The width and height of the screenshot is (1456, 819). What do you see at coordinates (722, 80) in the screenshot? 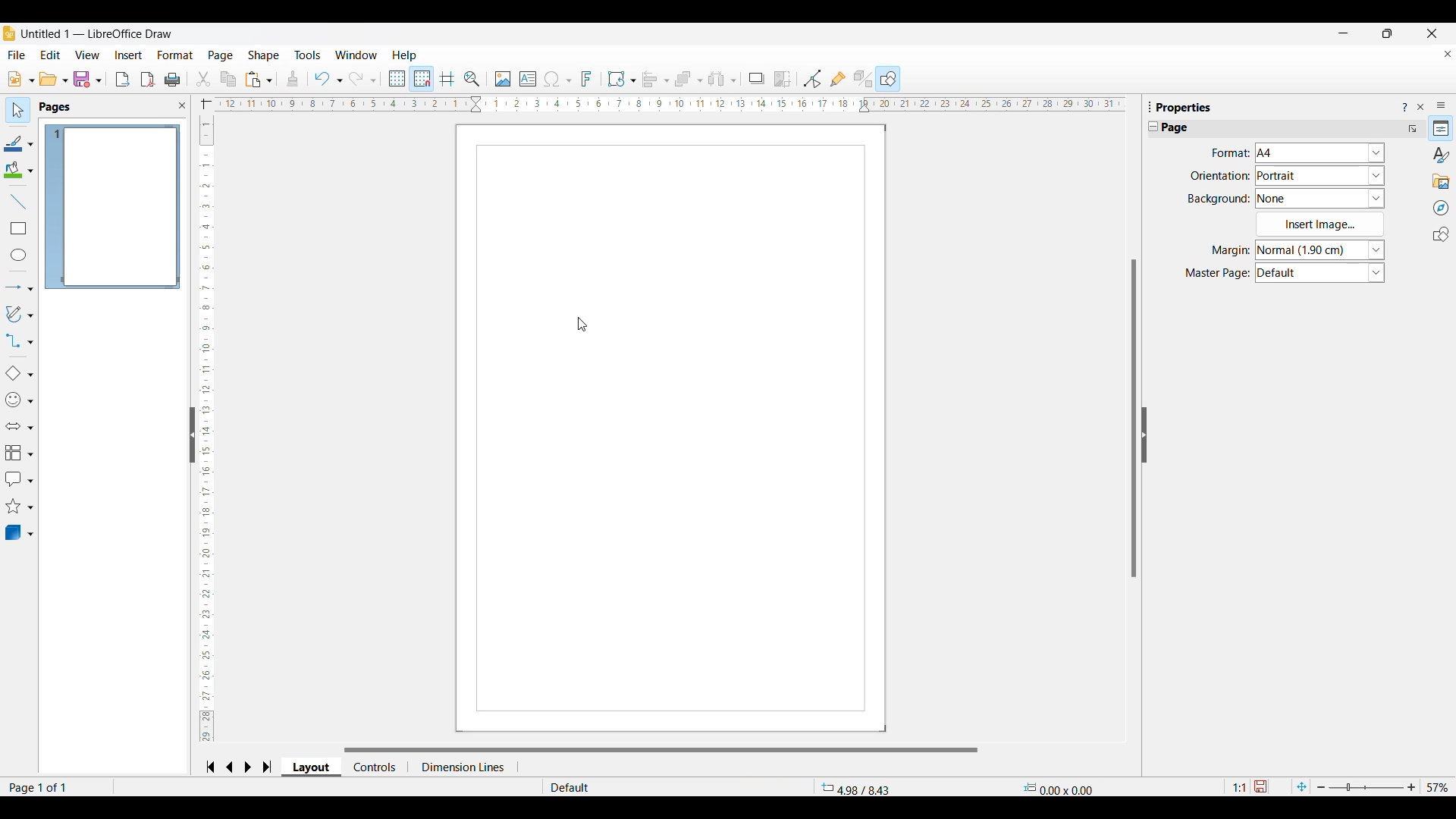
I see `Select at least three objects to distribute` at bounding box center [722, 80].